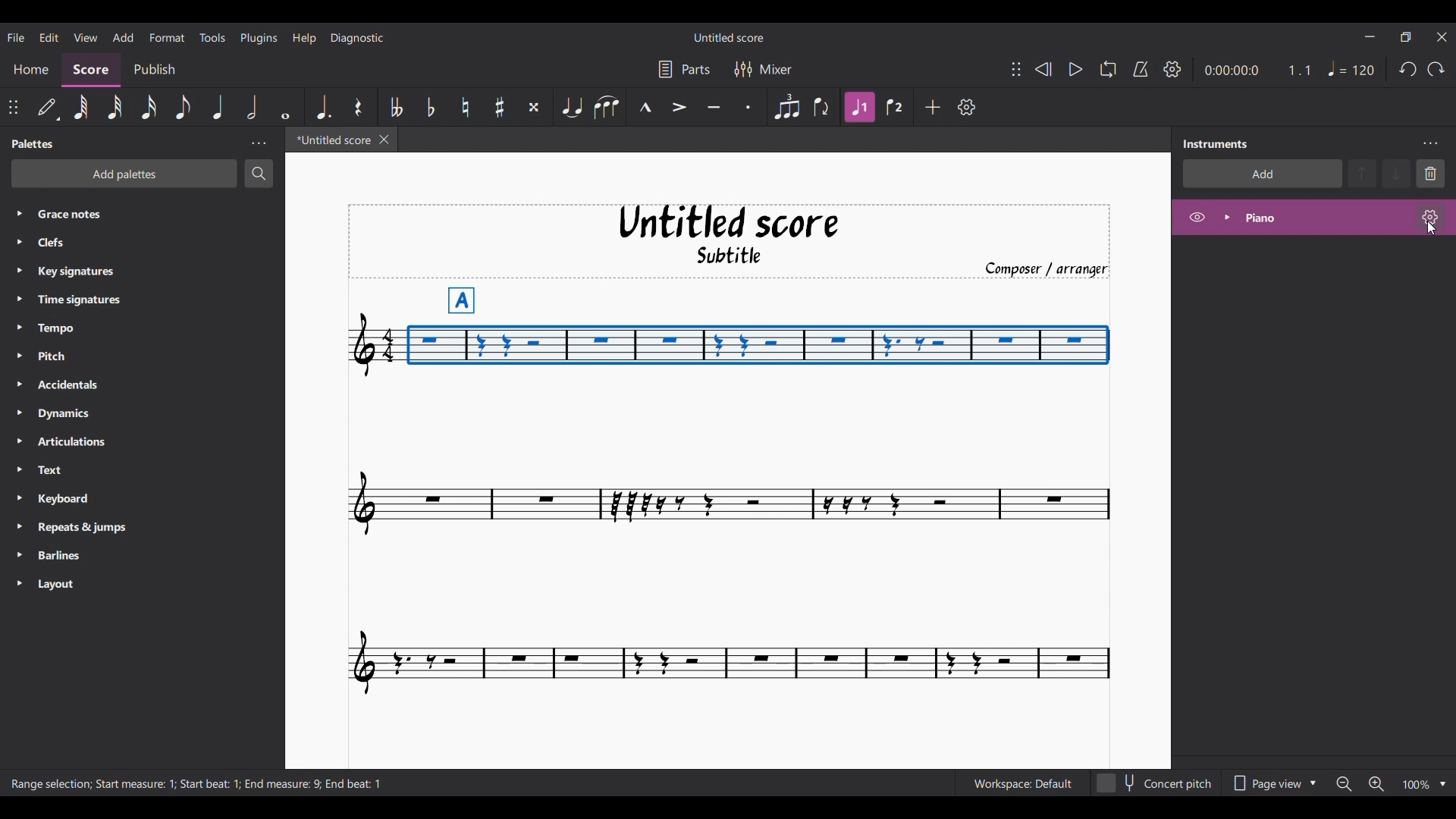  I want to click on Home section, so click(32, 67).